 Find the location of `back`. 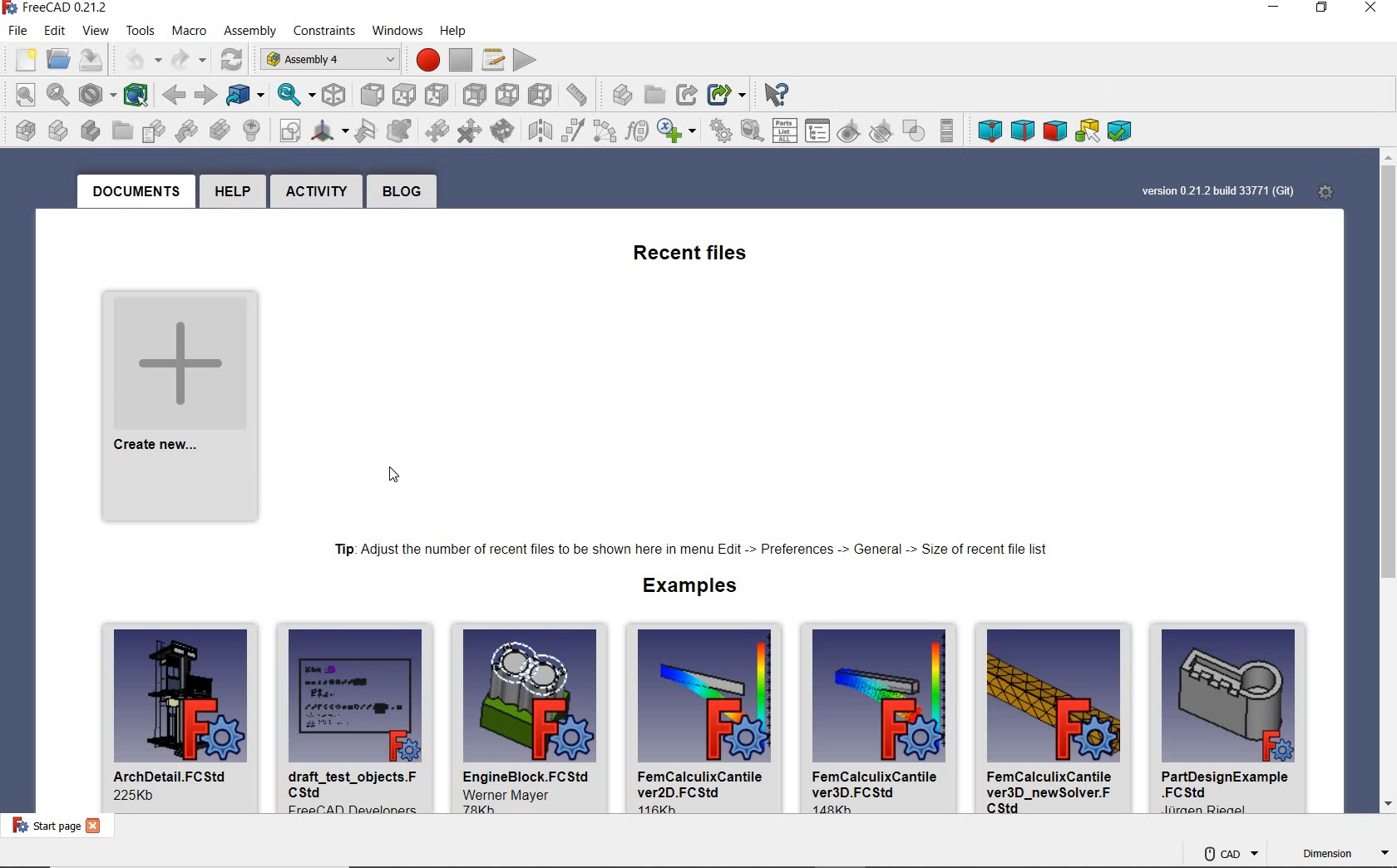

back is located at coordinates (175, 96).